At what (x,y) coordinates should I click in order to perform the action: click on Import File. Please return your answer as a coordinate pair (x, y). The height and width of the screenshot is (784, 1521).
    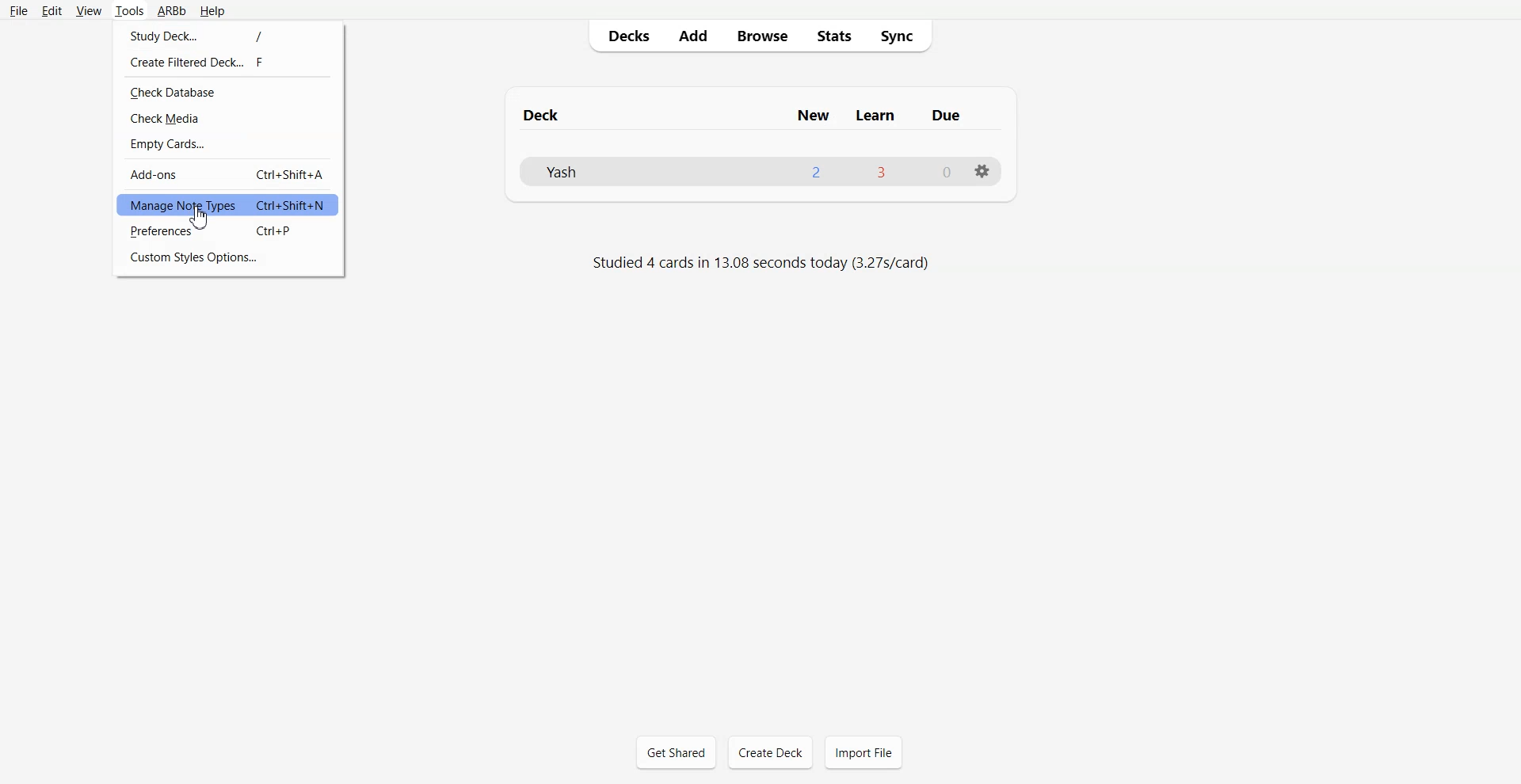
    Looking at the image, I should click on (863, 752).